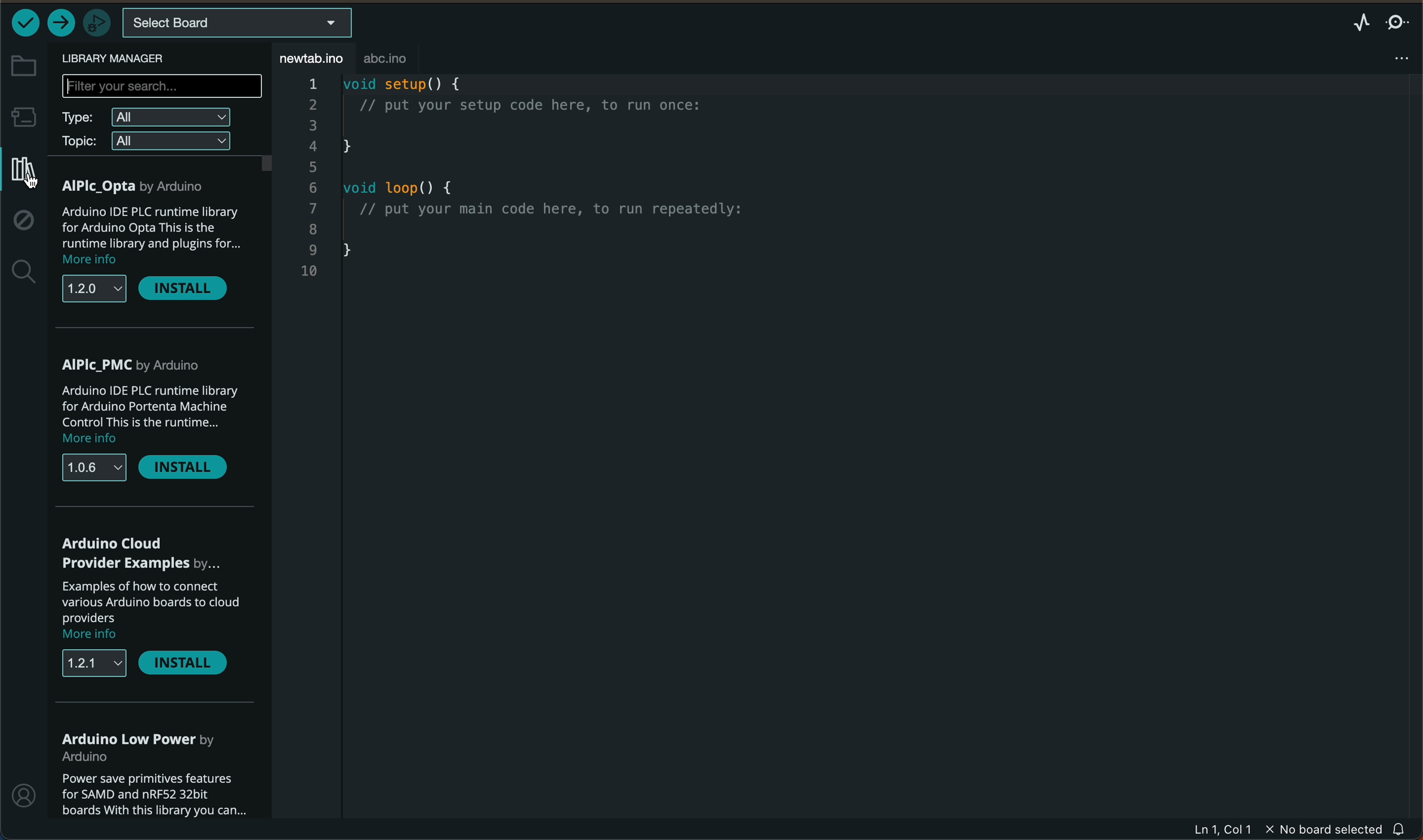 The width and height of the screenshot is (1423, 840). Describe the element at coordinates (95, 662) in the screenshot. I see `versions` at that location.